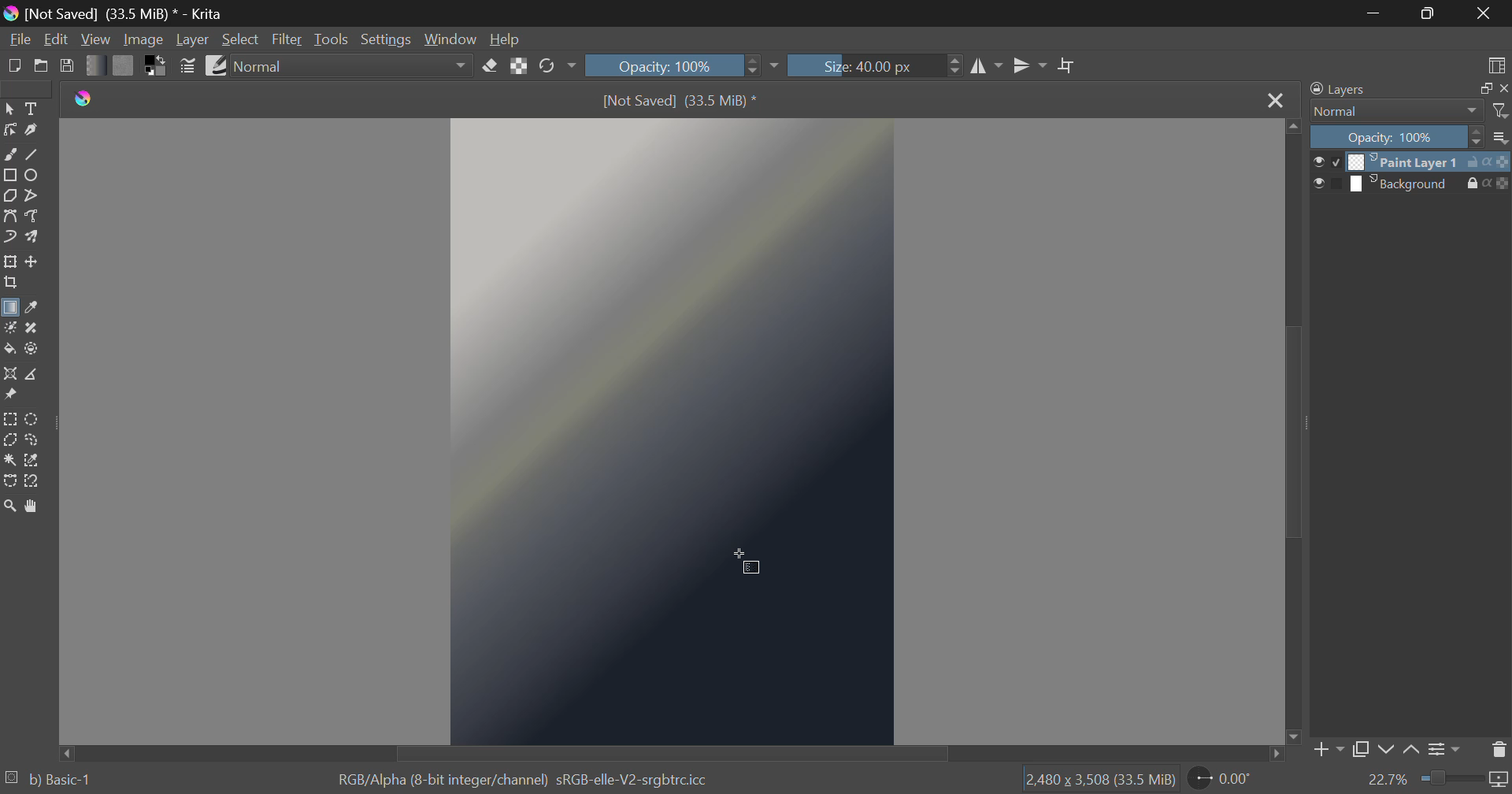 Image resolution: width=1512 pixels, height=794 pixels. Describe the element at coordinates (9, 130) in the screenshot. I see `Edit Shapes` at that location.